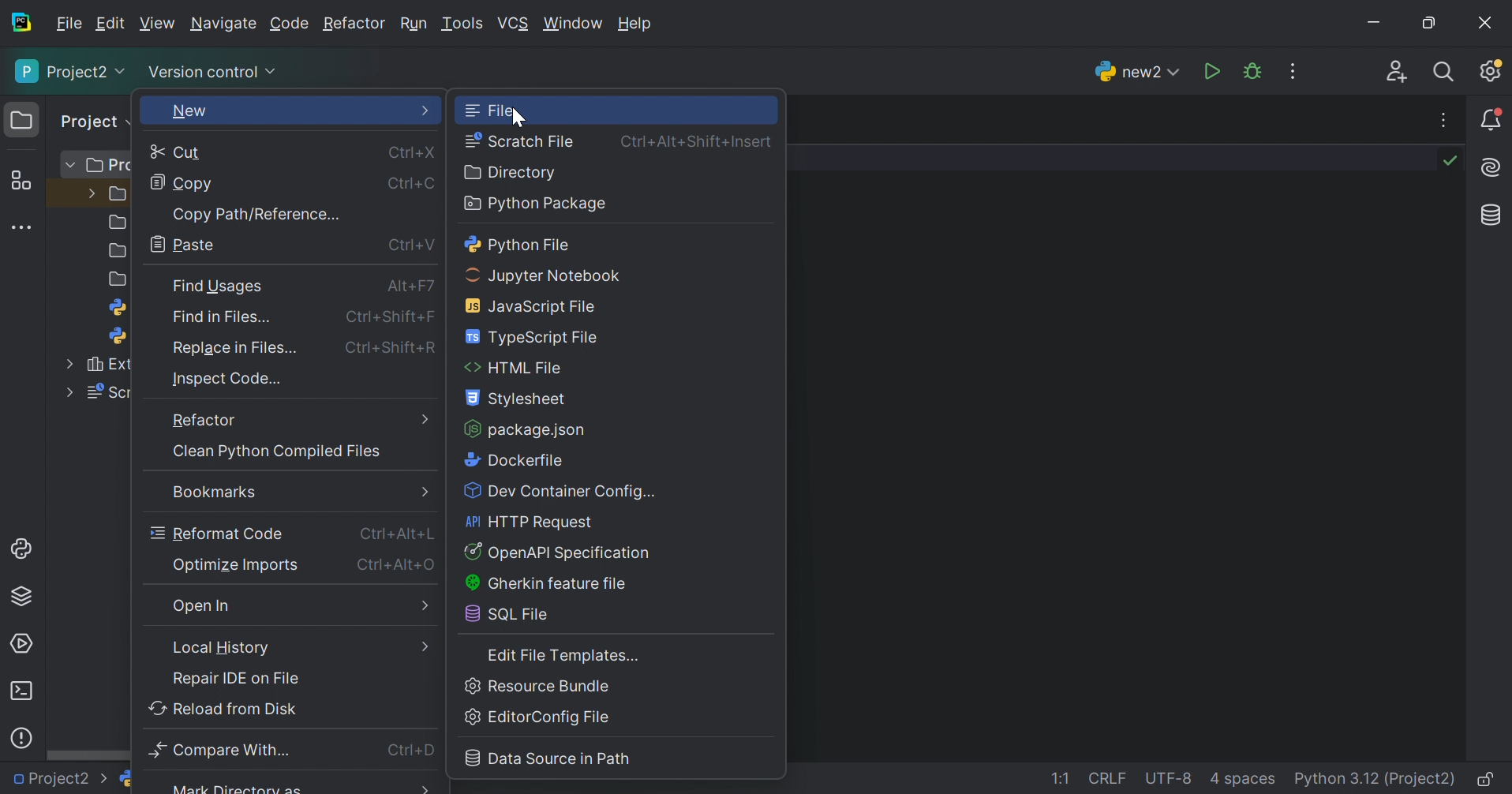  Describe the element at coordinates (20, 180) in the screenshot. I see `Structure` at that location.